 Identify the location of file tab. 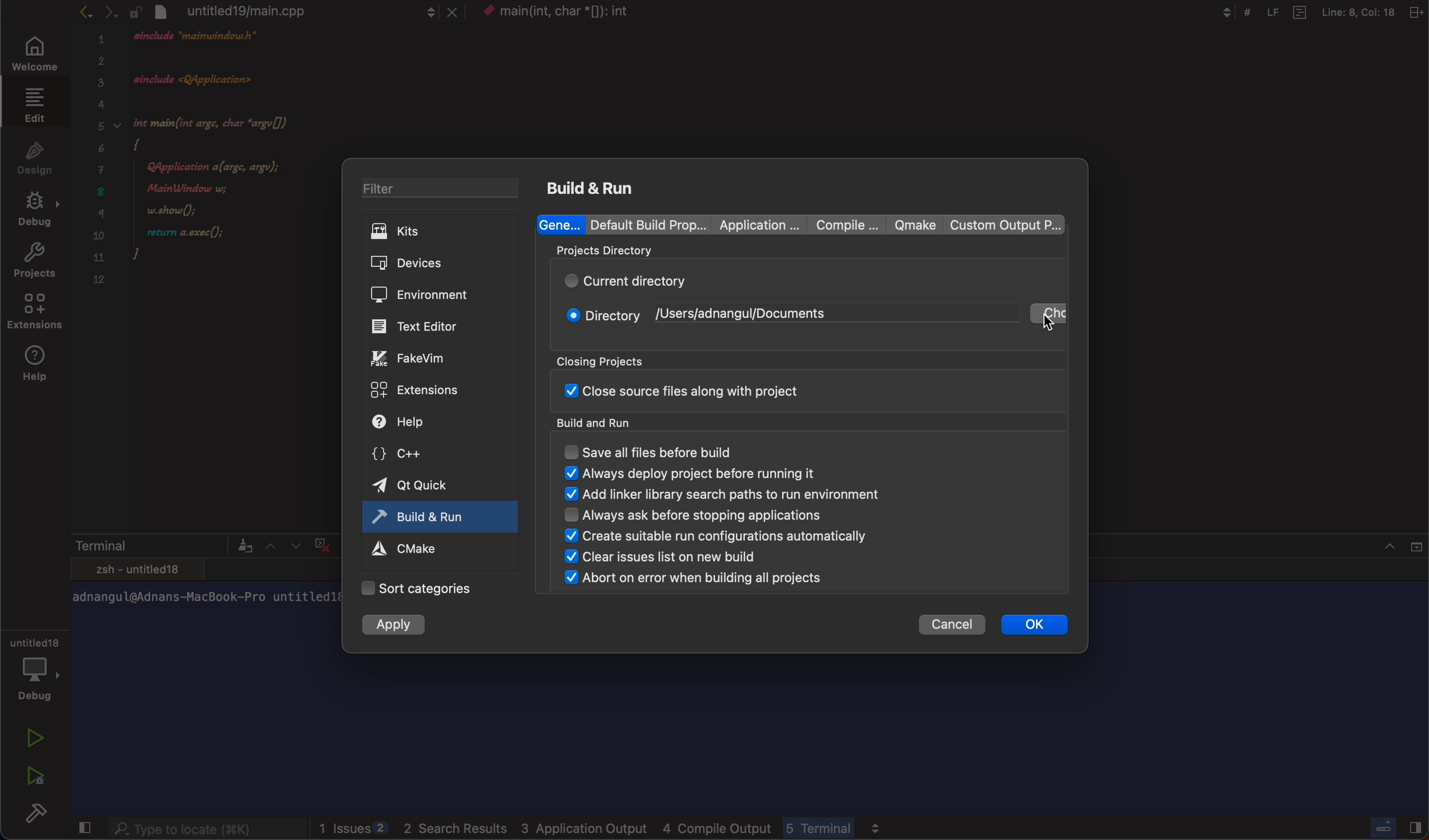
(306, 11).